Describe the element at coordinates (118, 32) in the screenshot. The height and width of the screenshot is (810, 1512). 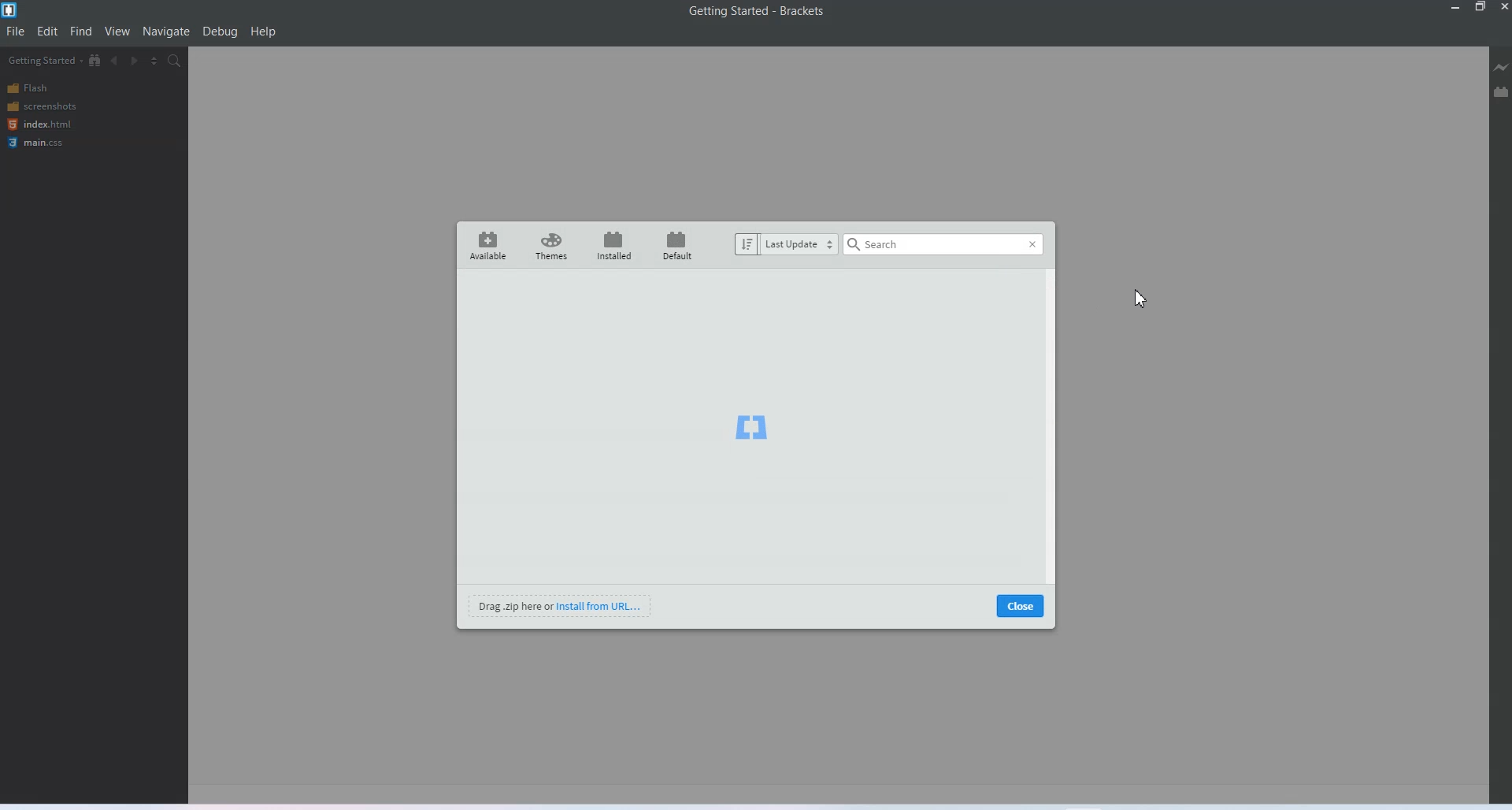
I see `View` at that location.